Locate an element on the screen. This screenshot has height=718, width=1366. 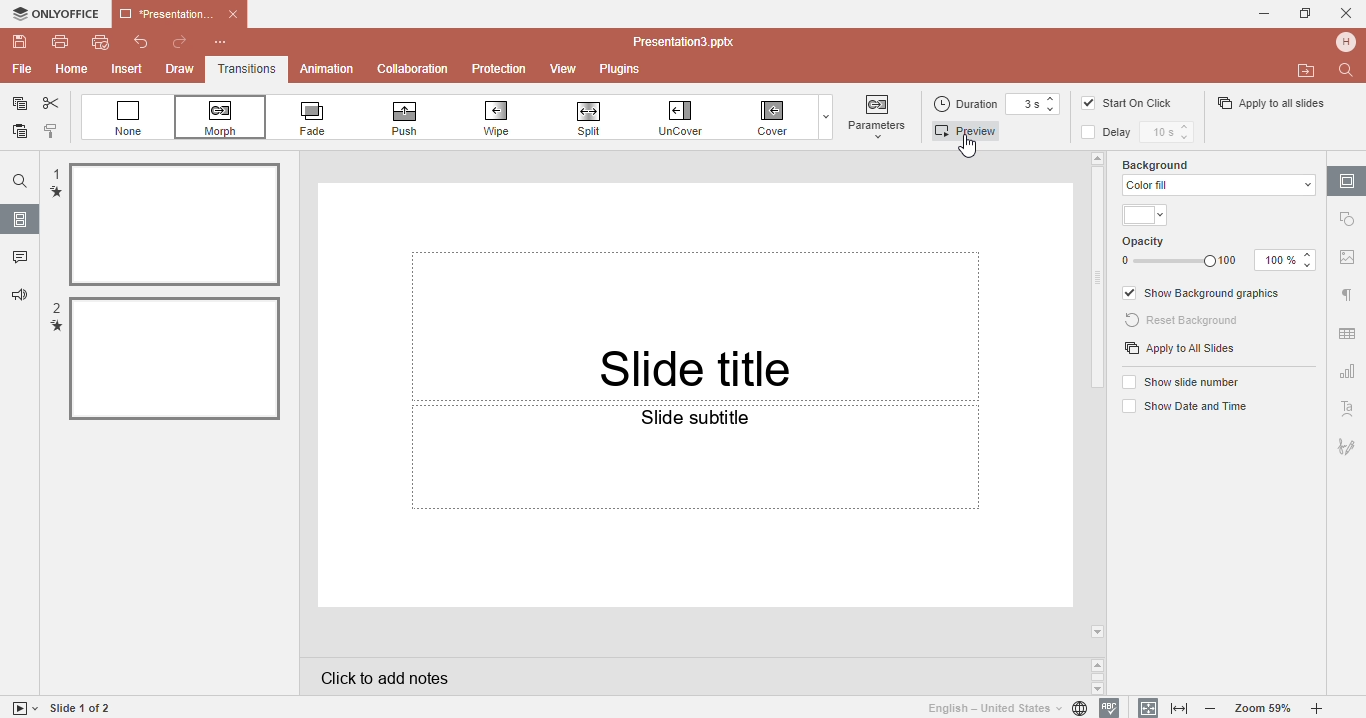
selected file 1 is located at coordinates (174, 225).